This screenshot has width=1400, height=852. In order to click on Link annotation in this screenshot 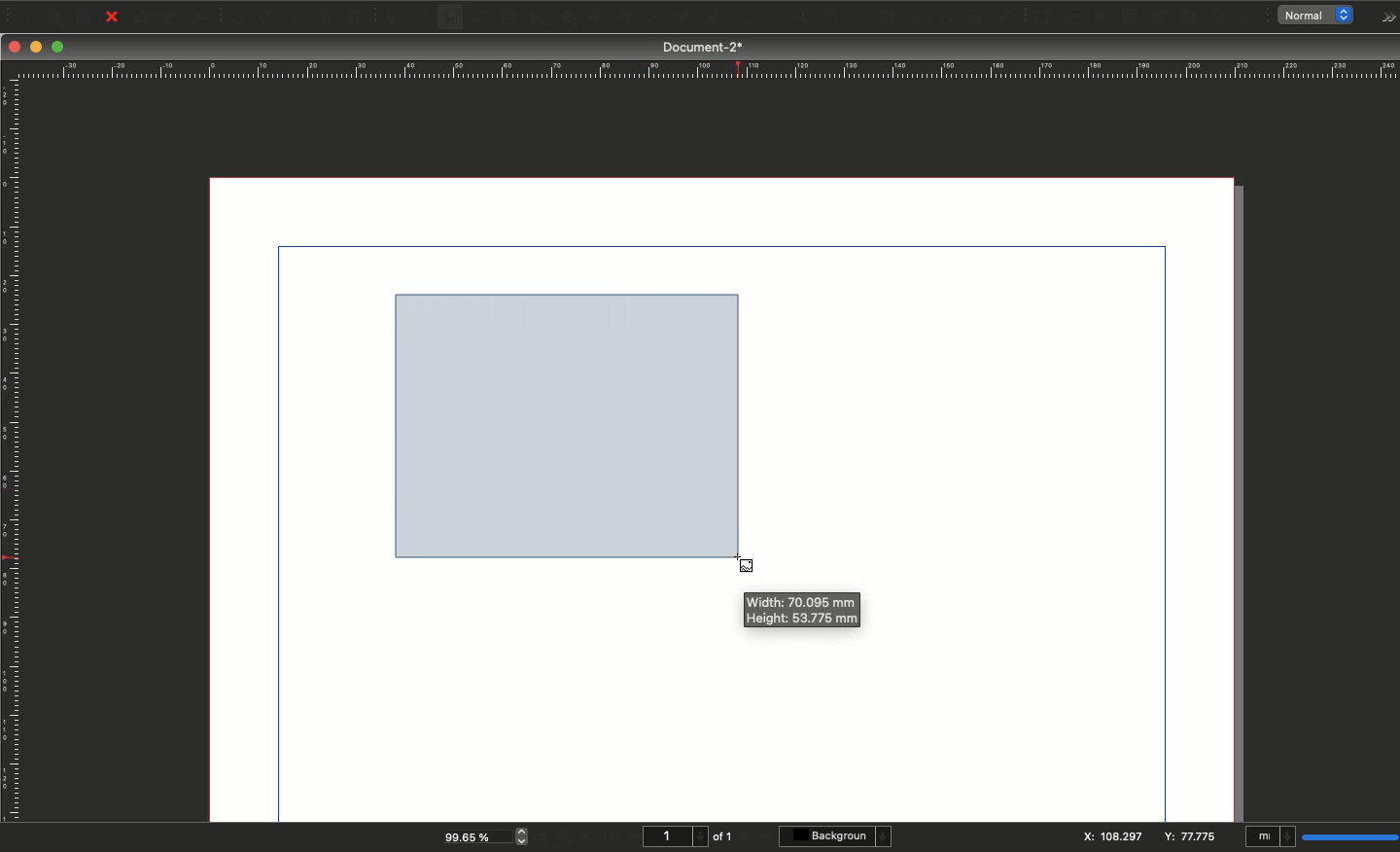, I will do `click(1250, 18)`.